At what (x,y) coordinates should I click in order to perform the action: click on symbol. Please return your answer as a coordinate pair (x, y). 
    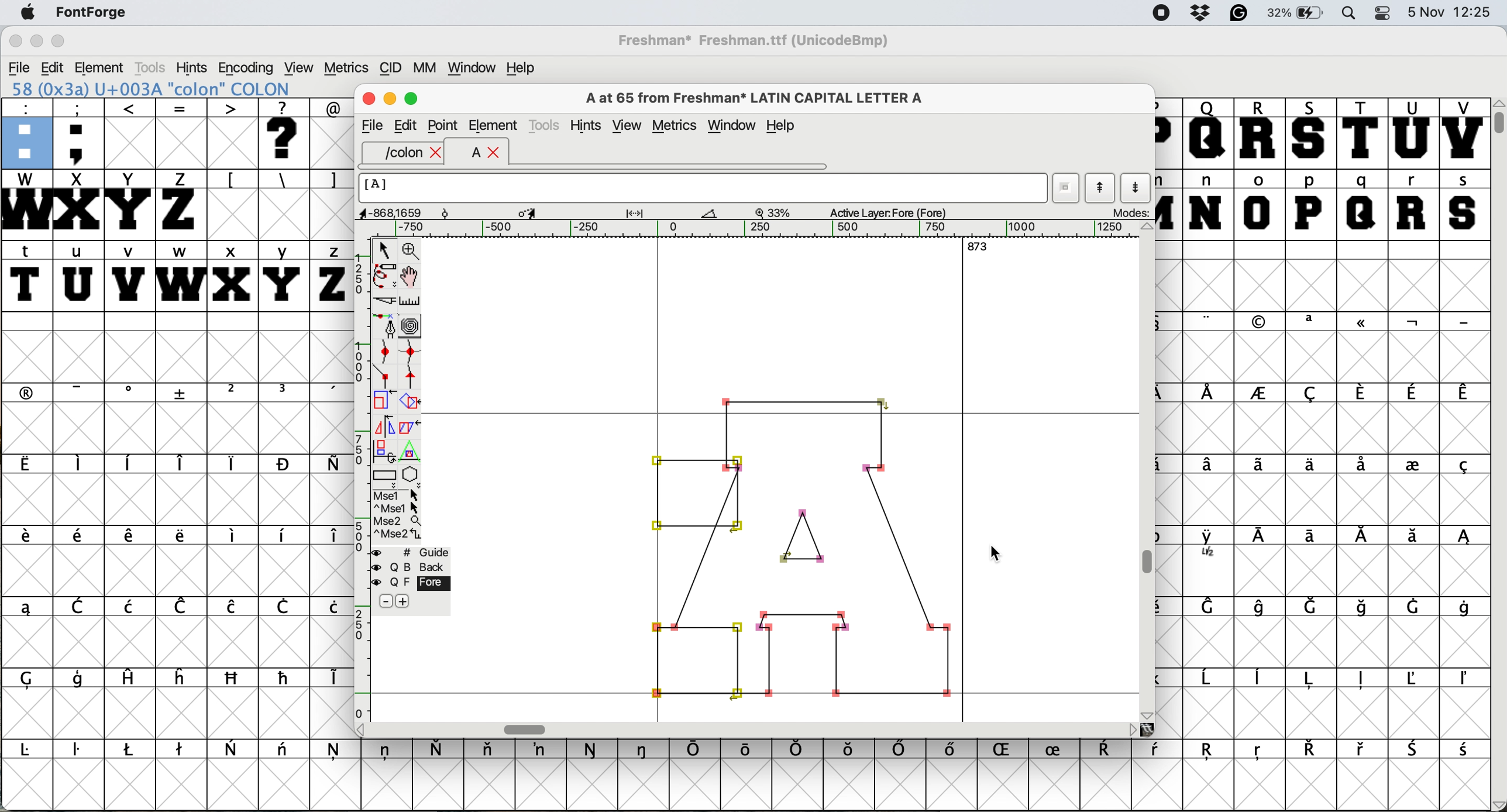
    Looking at the image, I should click on (129, 679).